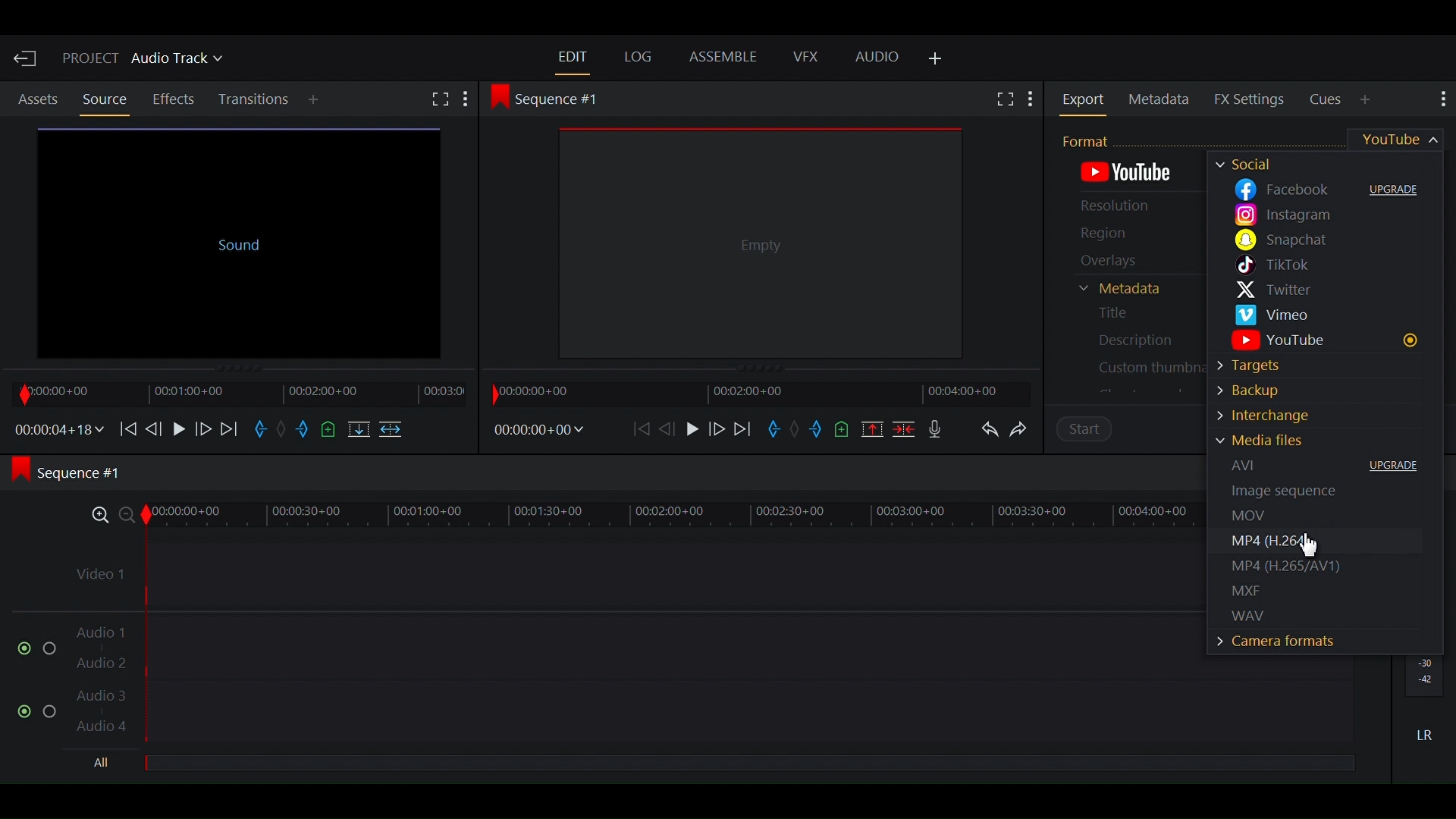  Describe the element at coordinates (639, 57) in the screenshot. I see `Log` at that location.